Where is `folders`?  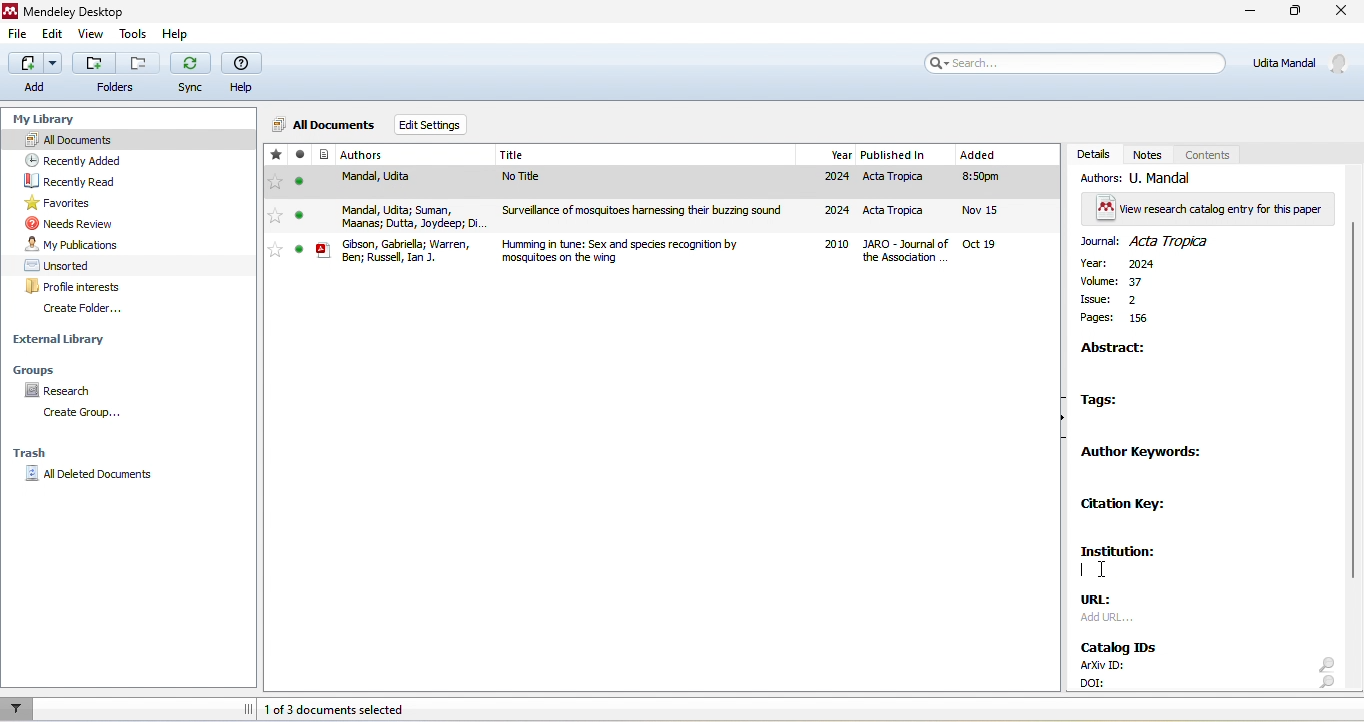 folders is located at coordinates (116, 88).